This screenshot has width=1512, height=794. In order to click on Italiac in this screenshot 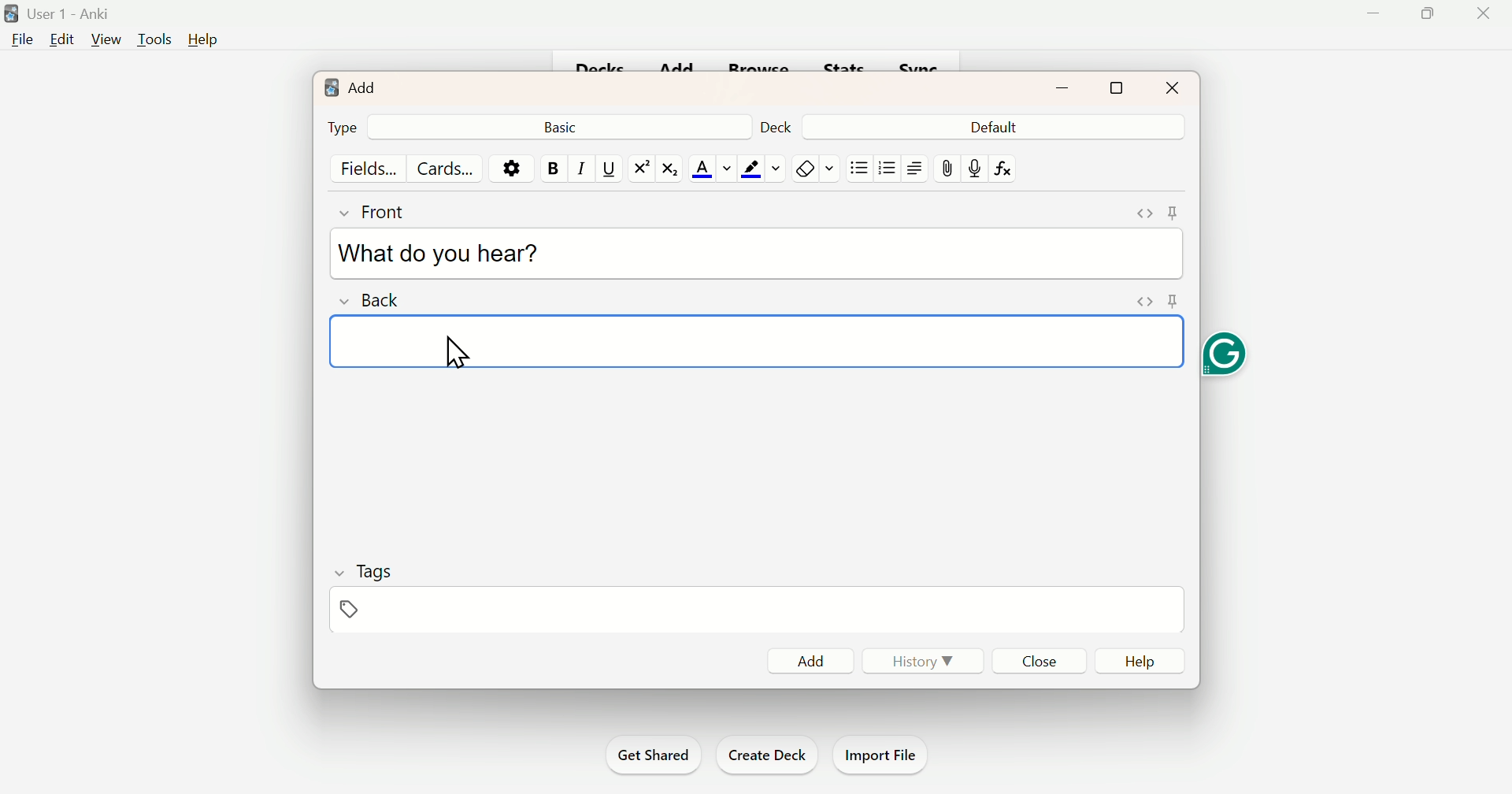, I will do `click(580, 167)`.